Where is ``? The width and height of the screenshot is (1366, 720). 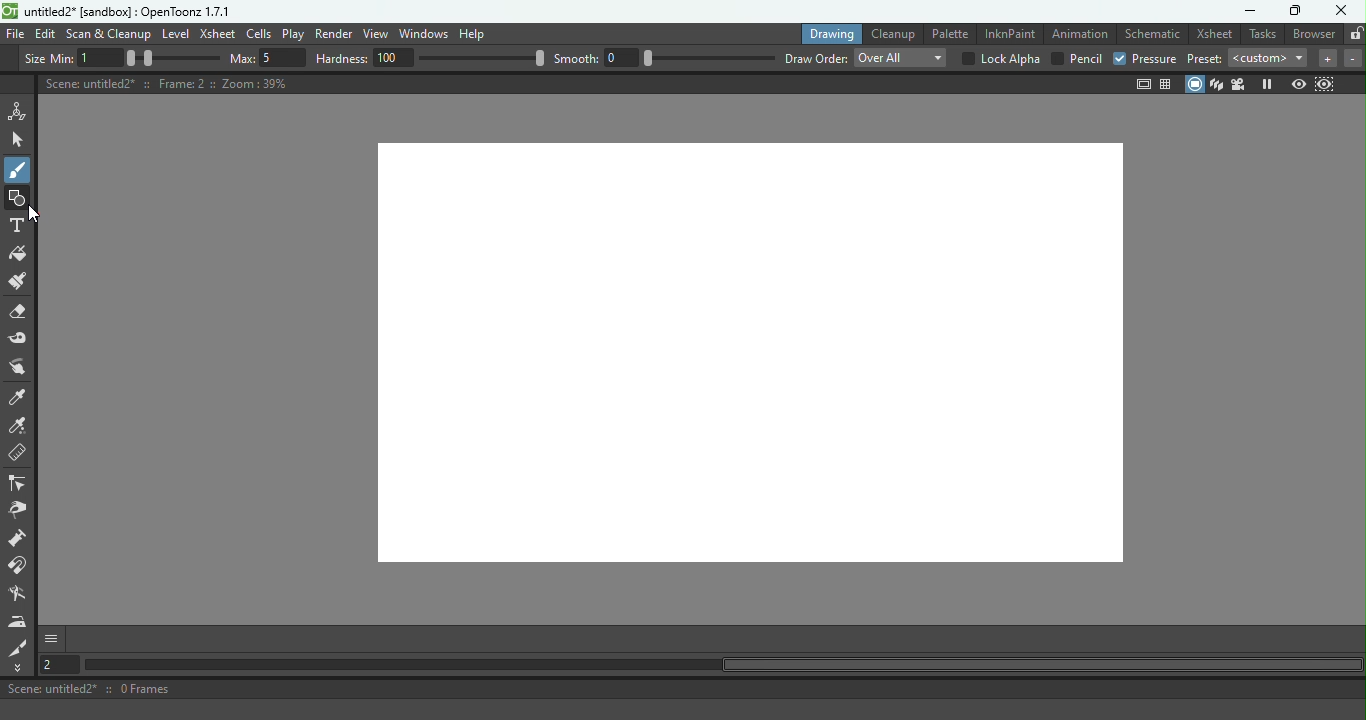
 is located at coordinates (18, 196).